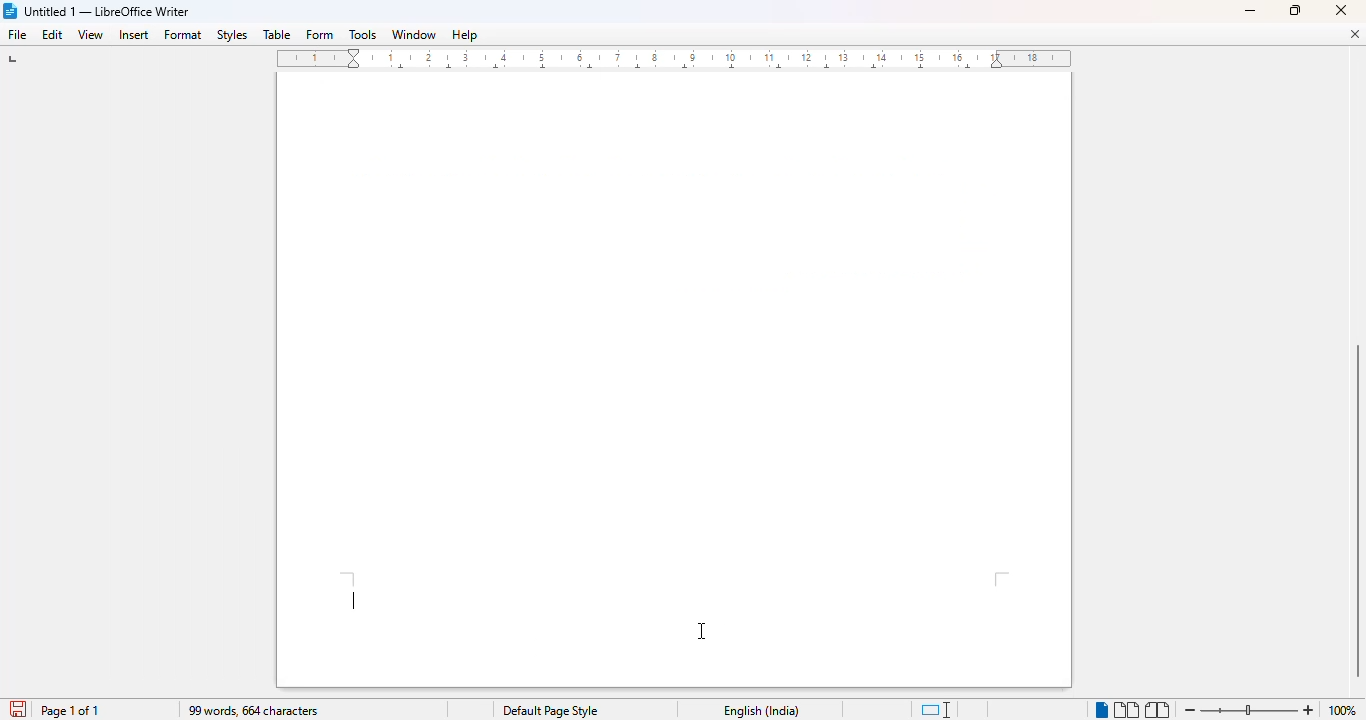  I want to click on view, so click(90, 35).